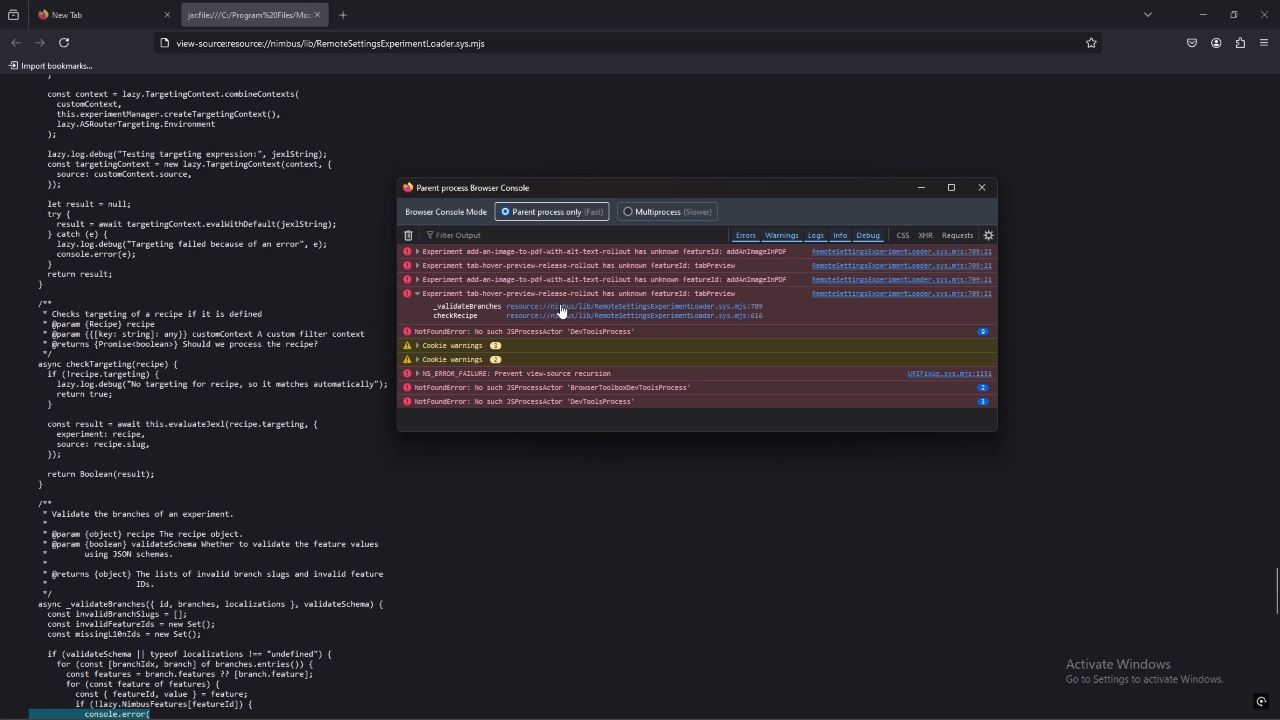 This screenshot has width=1280, height=720. What do you see at coordinates (869, 236) in the screenshot?
I see `debug` at bounding box center [869, 236].